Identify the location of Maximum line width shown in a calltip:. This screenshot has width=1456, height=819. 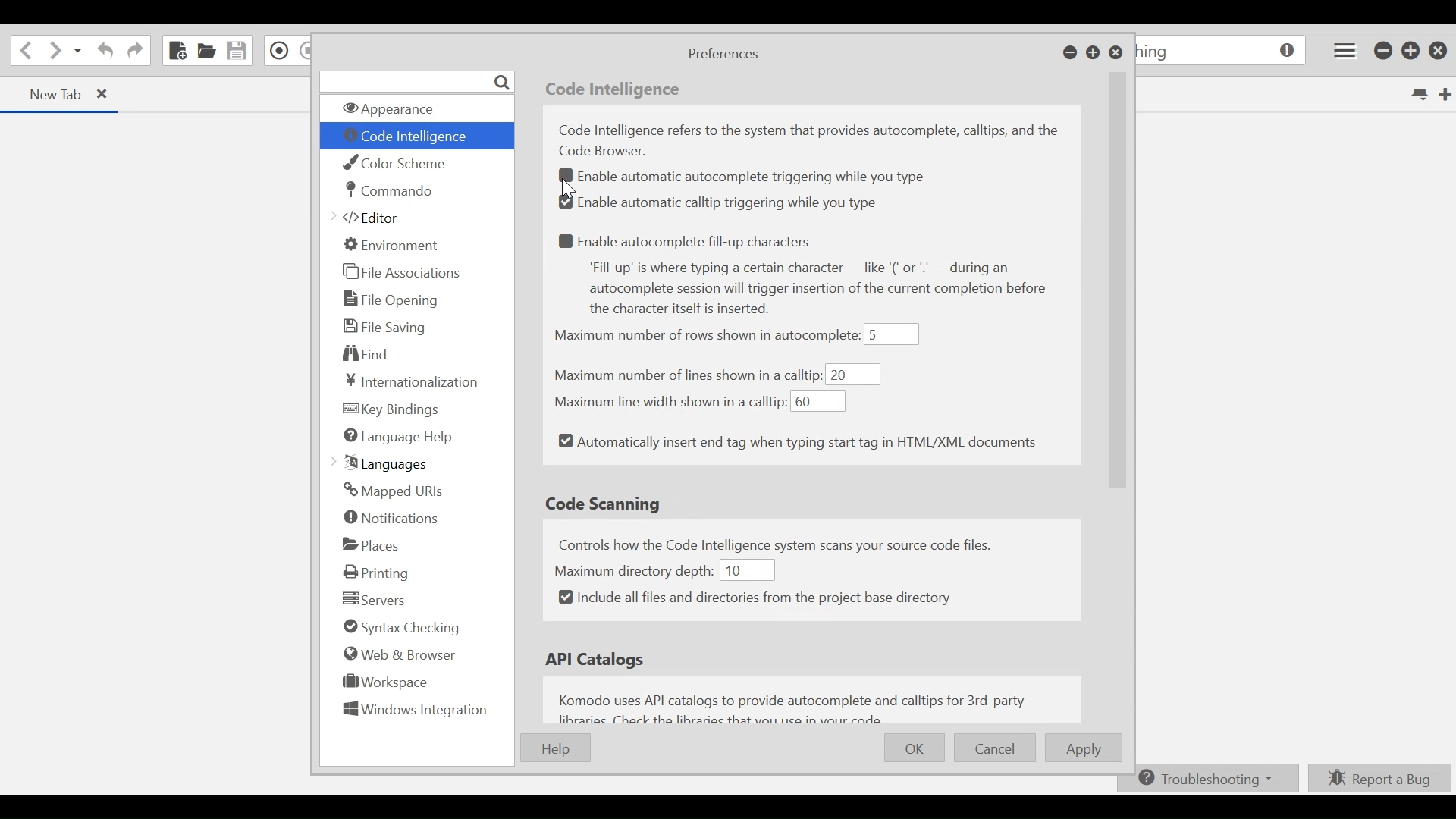
(668, 400).